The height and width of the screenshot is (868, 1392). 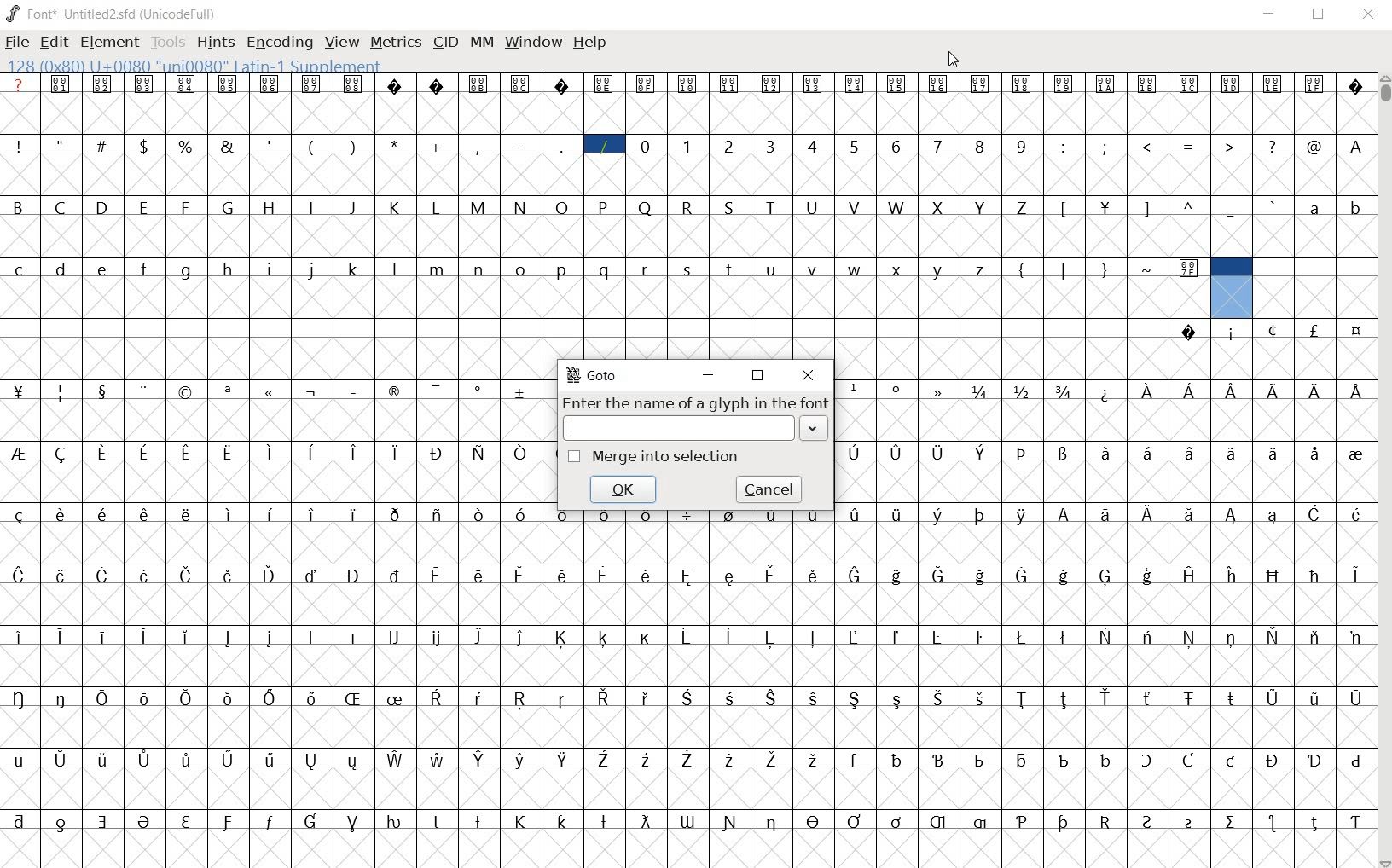 What do you see at coordinates (940, 697) in the screenshot?
I see `Symbol` at bounding box center [940, 697].